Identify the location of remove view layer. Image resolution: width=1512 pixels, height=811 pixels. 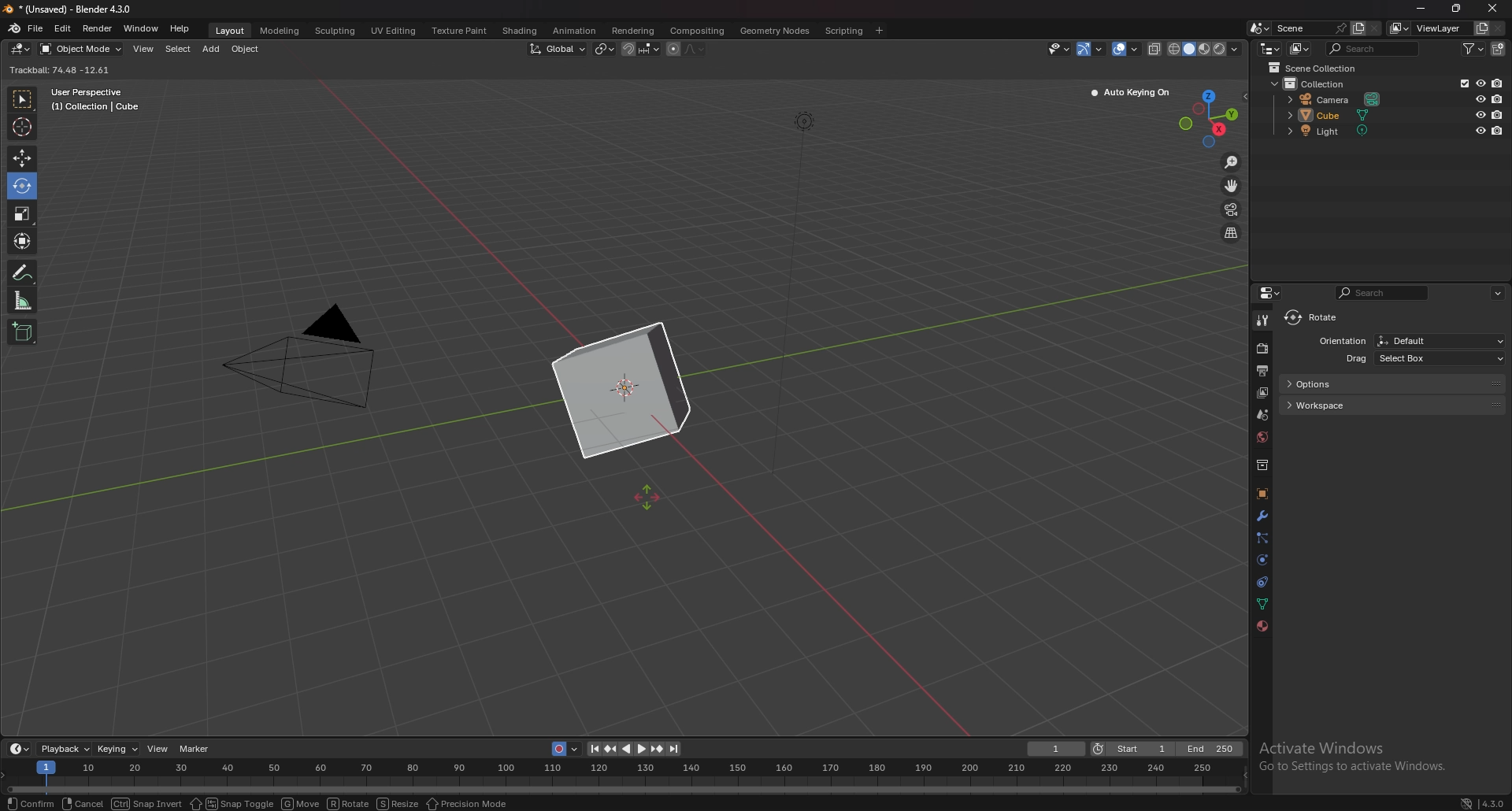
(1502, 28).